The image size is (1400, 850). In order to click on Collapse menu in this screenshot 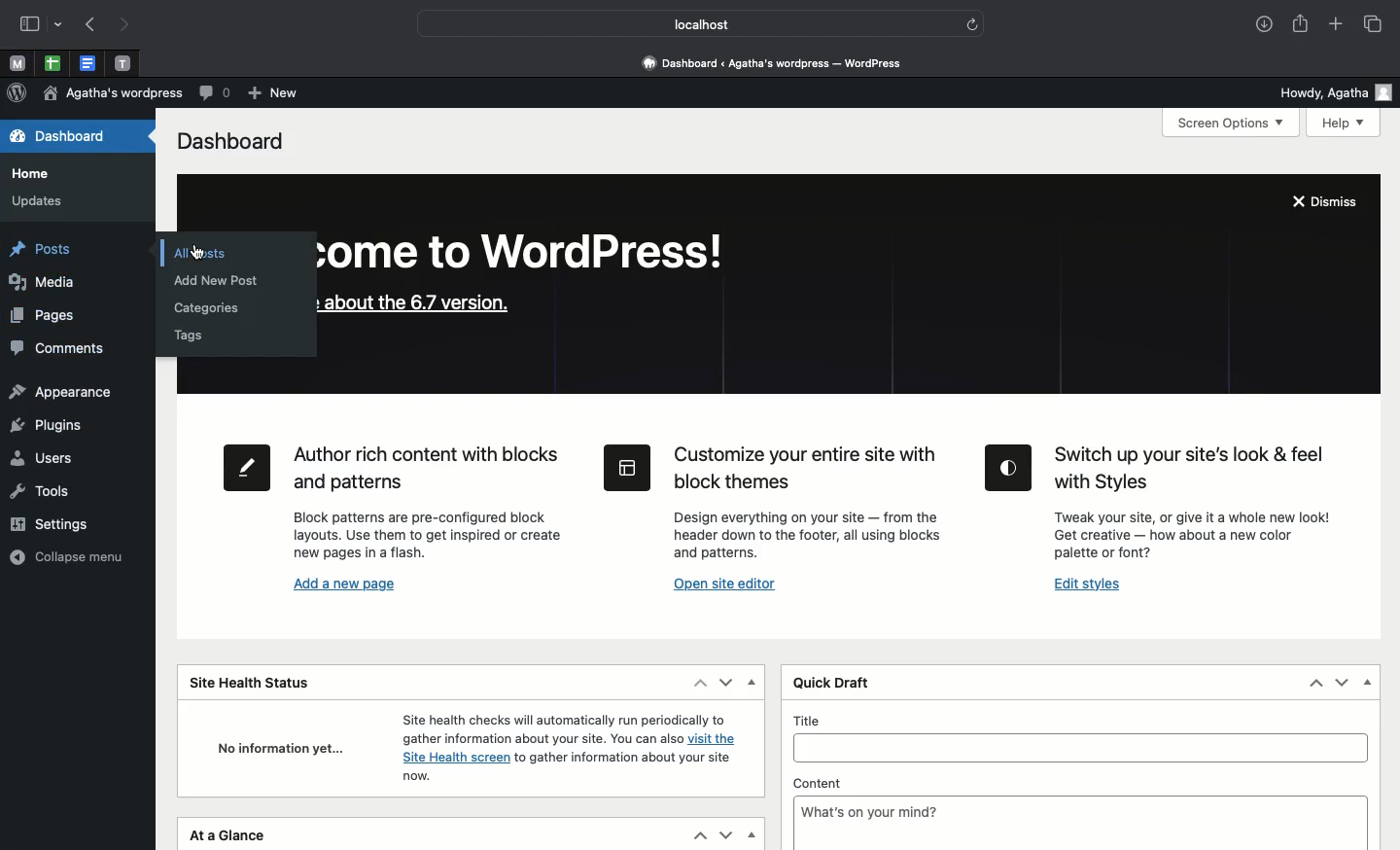, I will do `click(69, 555)`.